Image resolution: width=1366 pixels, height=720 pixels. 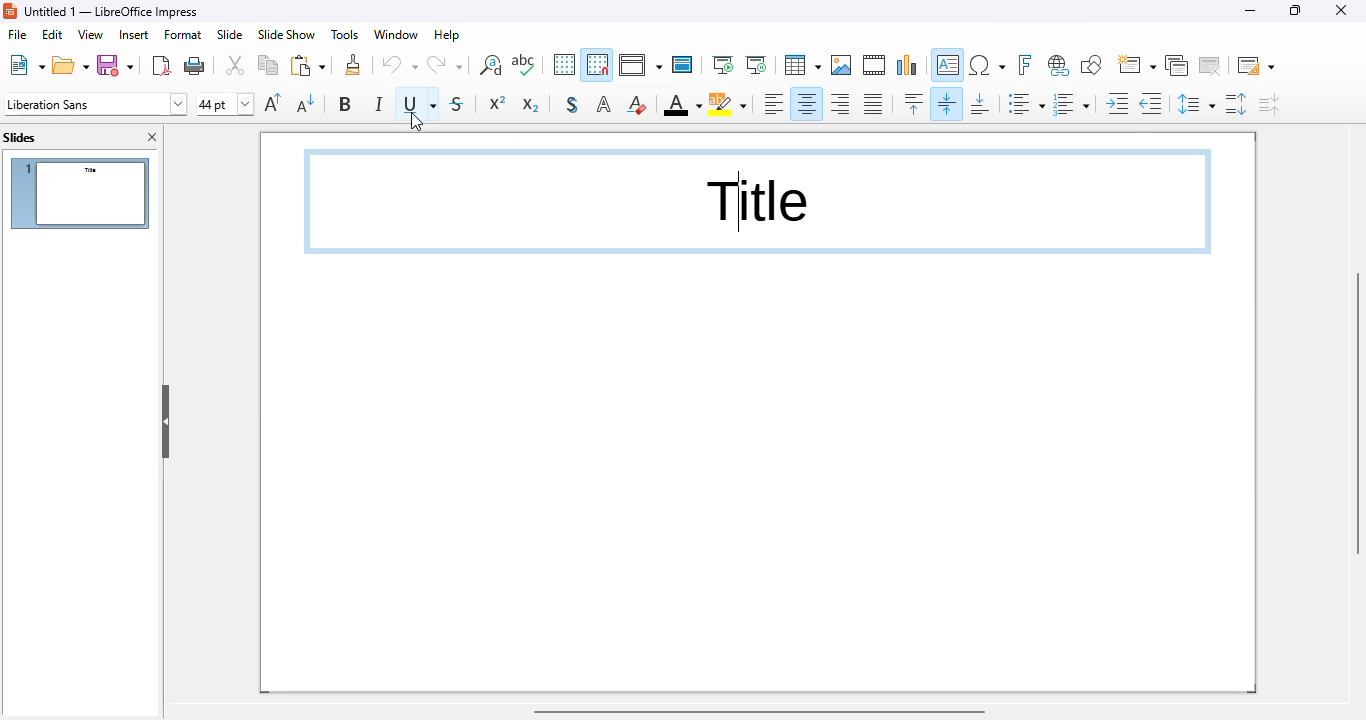 I want to click on insert fontwork text, so click(x=1025, y=64).